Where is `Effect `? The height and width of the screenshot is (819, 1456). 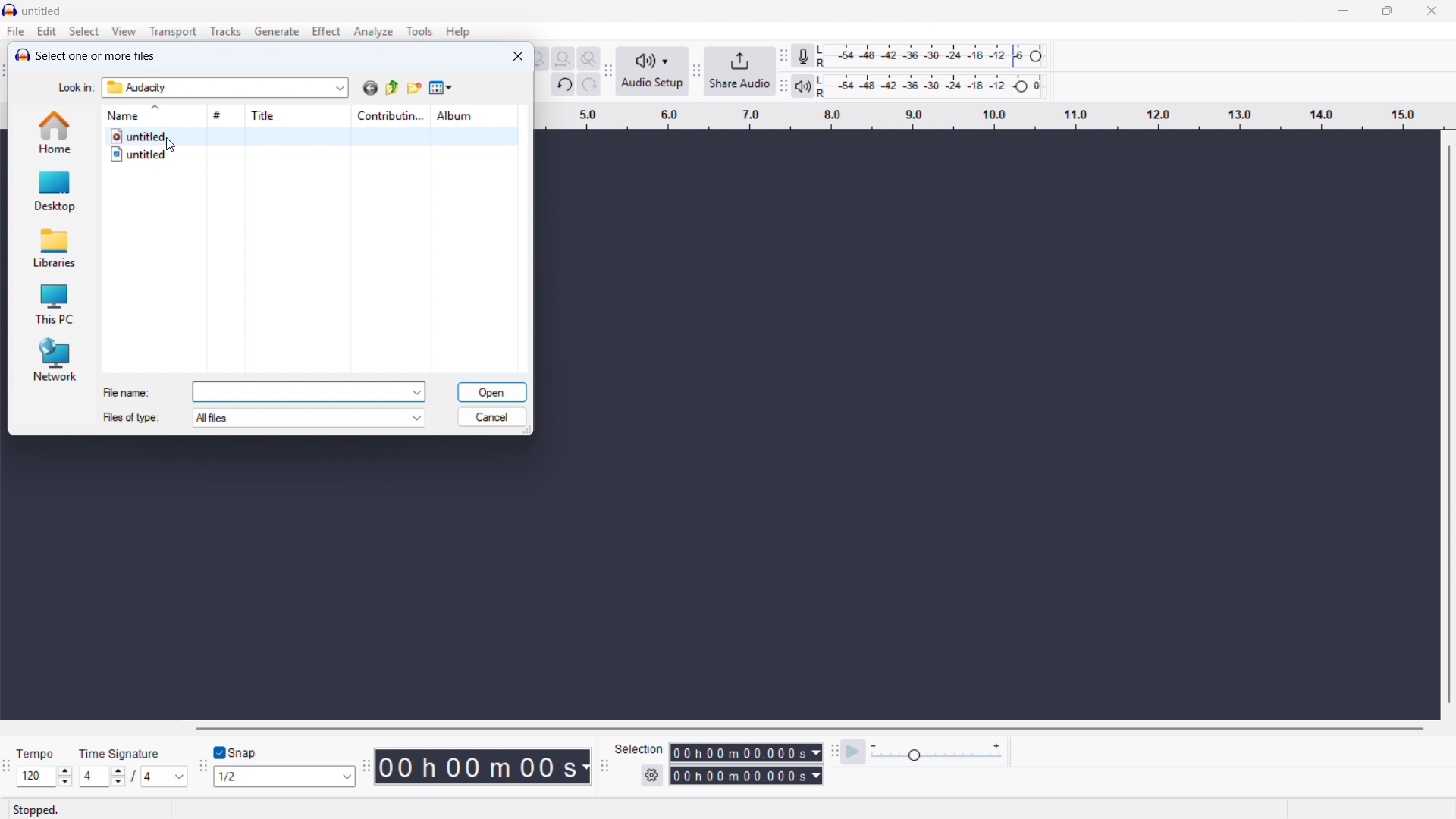 Effect  is located at coordinates (326, 31).